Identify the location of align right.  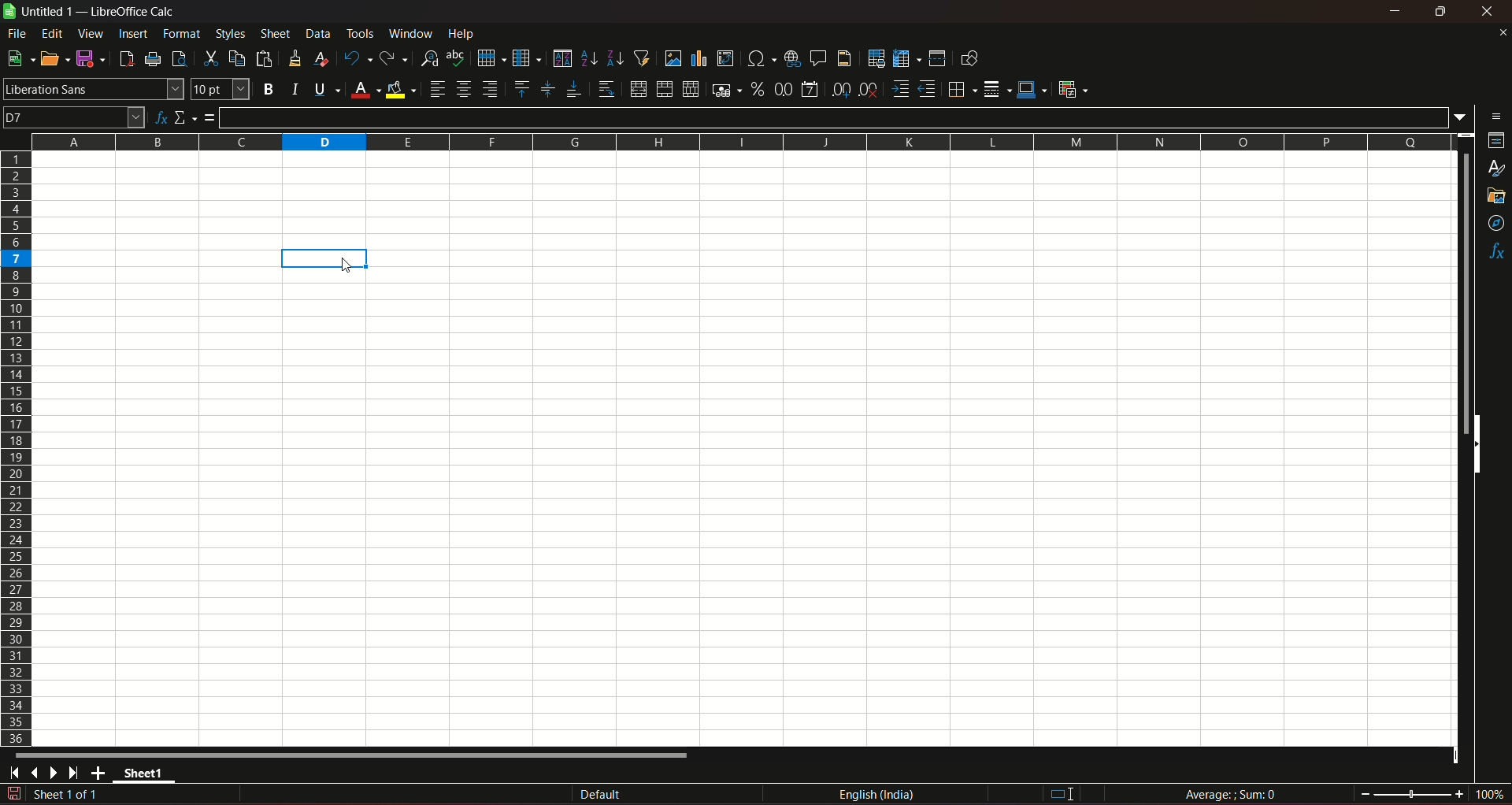
(492, 89).